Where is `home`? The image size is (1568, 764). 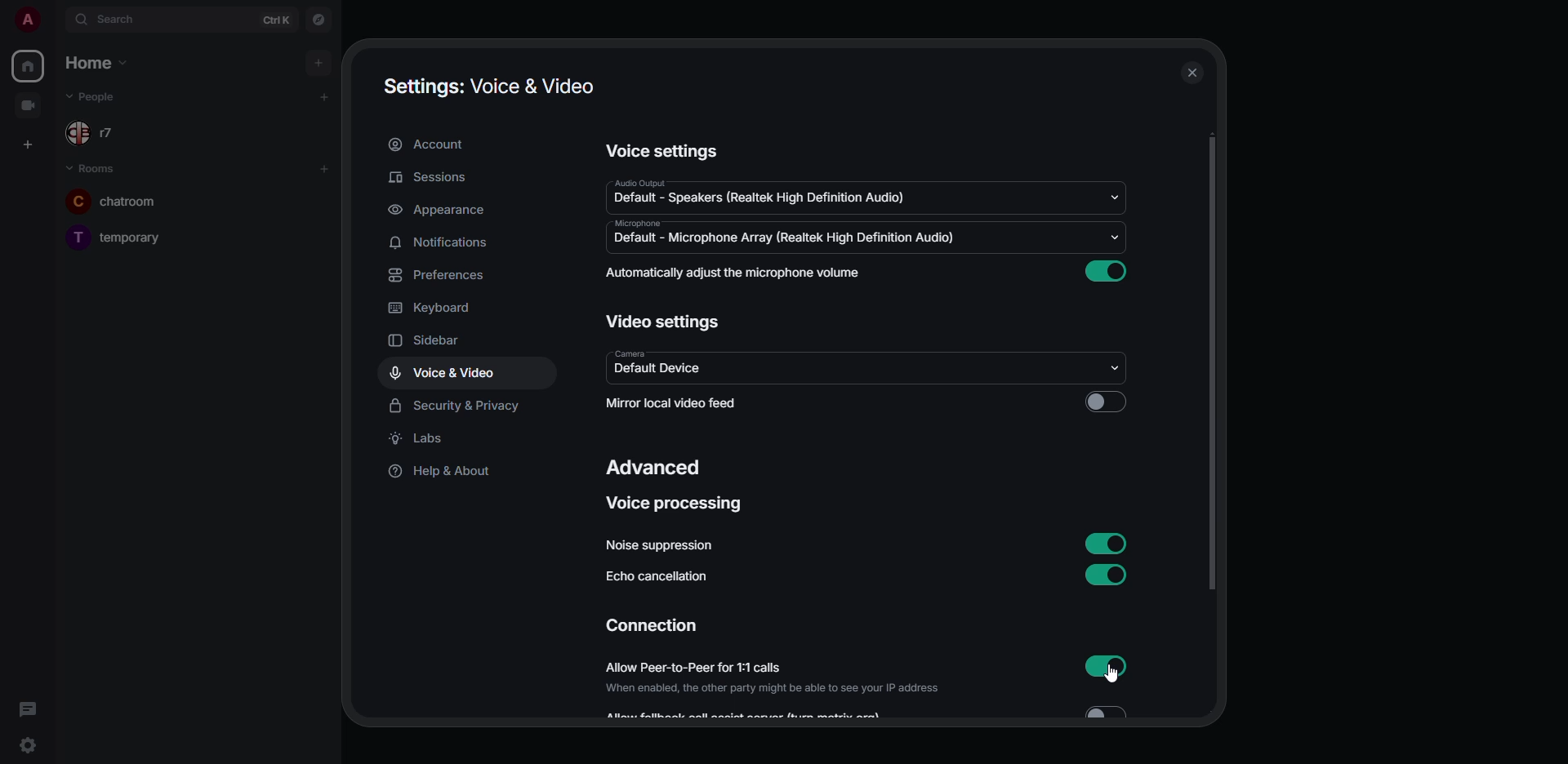 home is located at coordinates (30, 67).